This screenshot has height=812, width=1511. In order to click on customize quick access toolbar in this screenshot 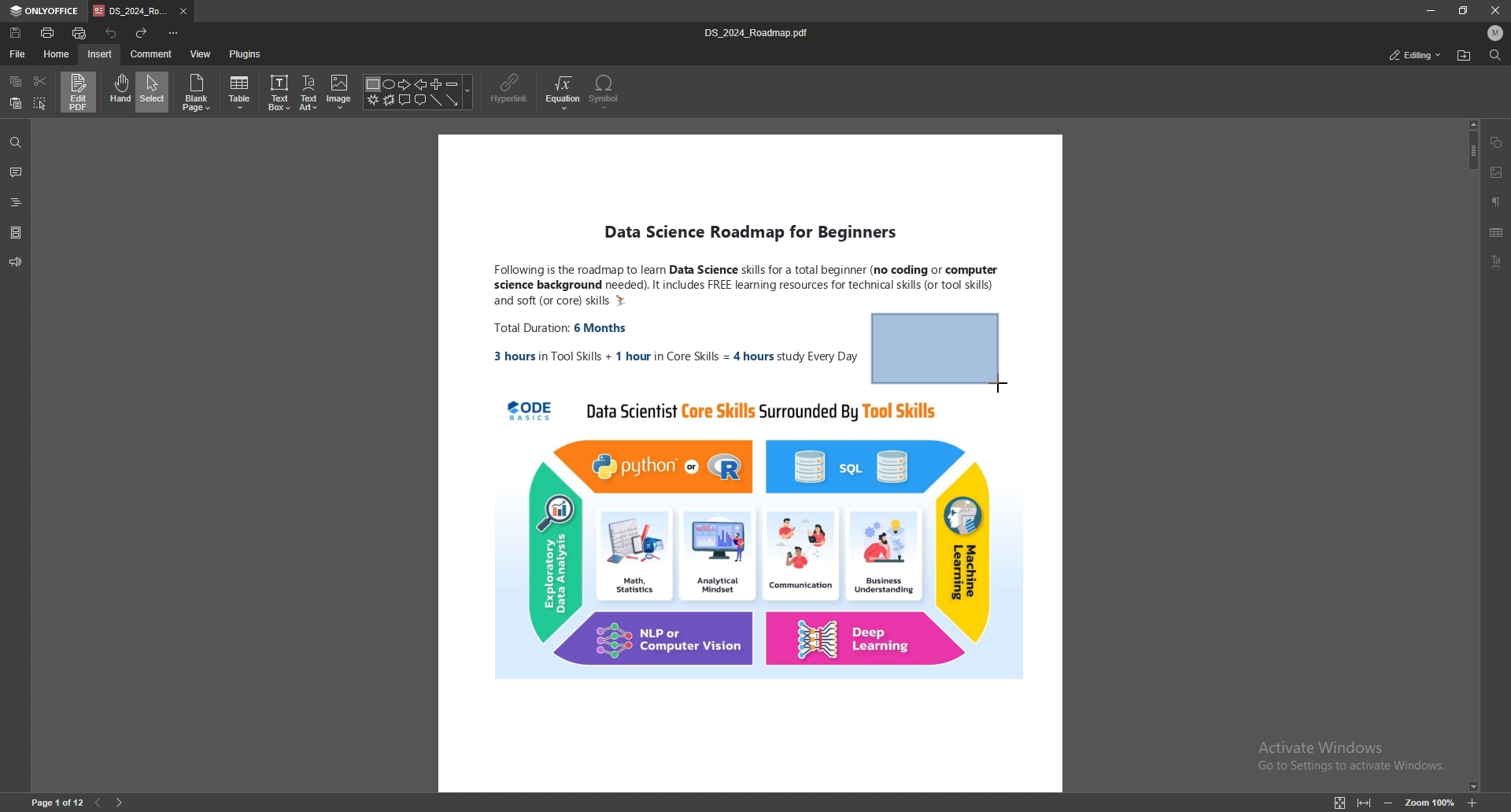, I will do `click(174, 33)`.